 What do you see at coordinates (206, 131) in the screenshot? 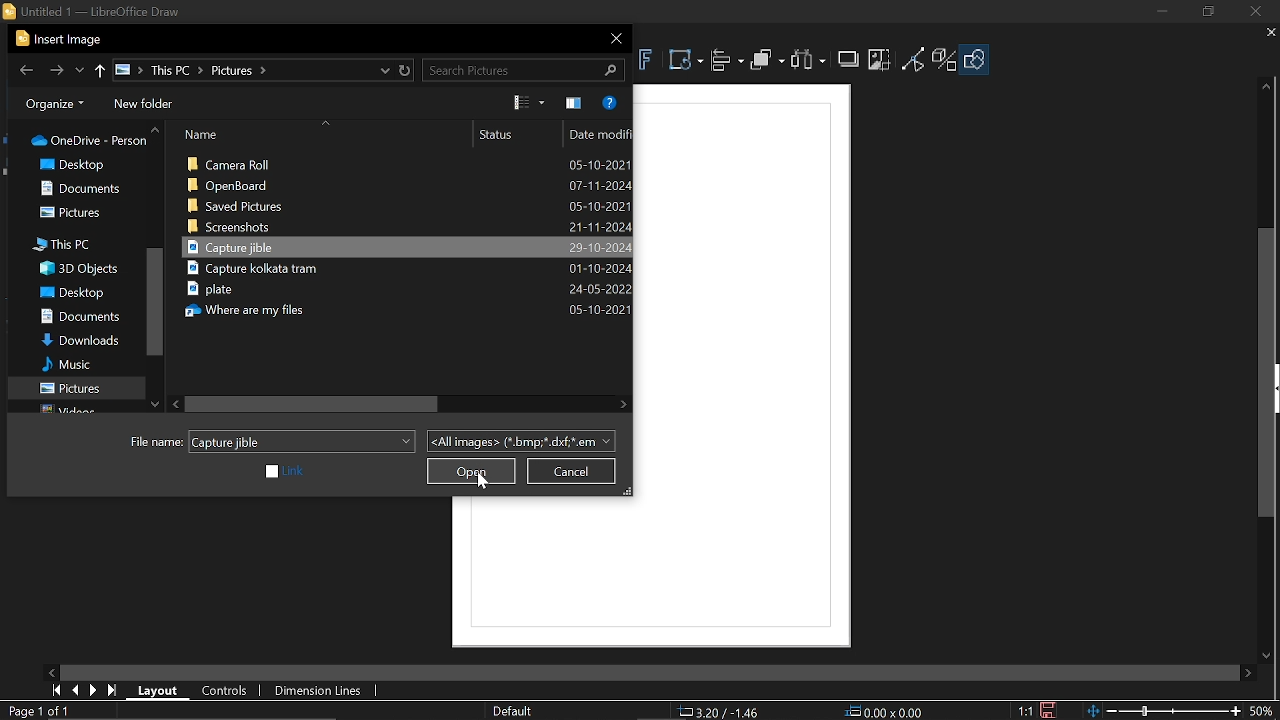
I see `Name` at bounding box center [206, 131].